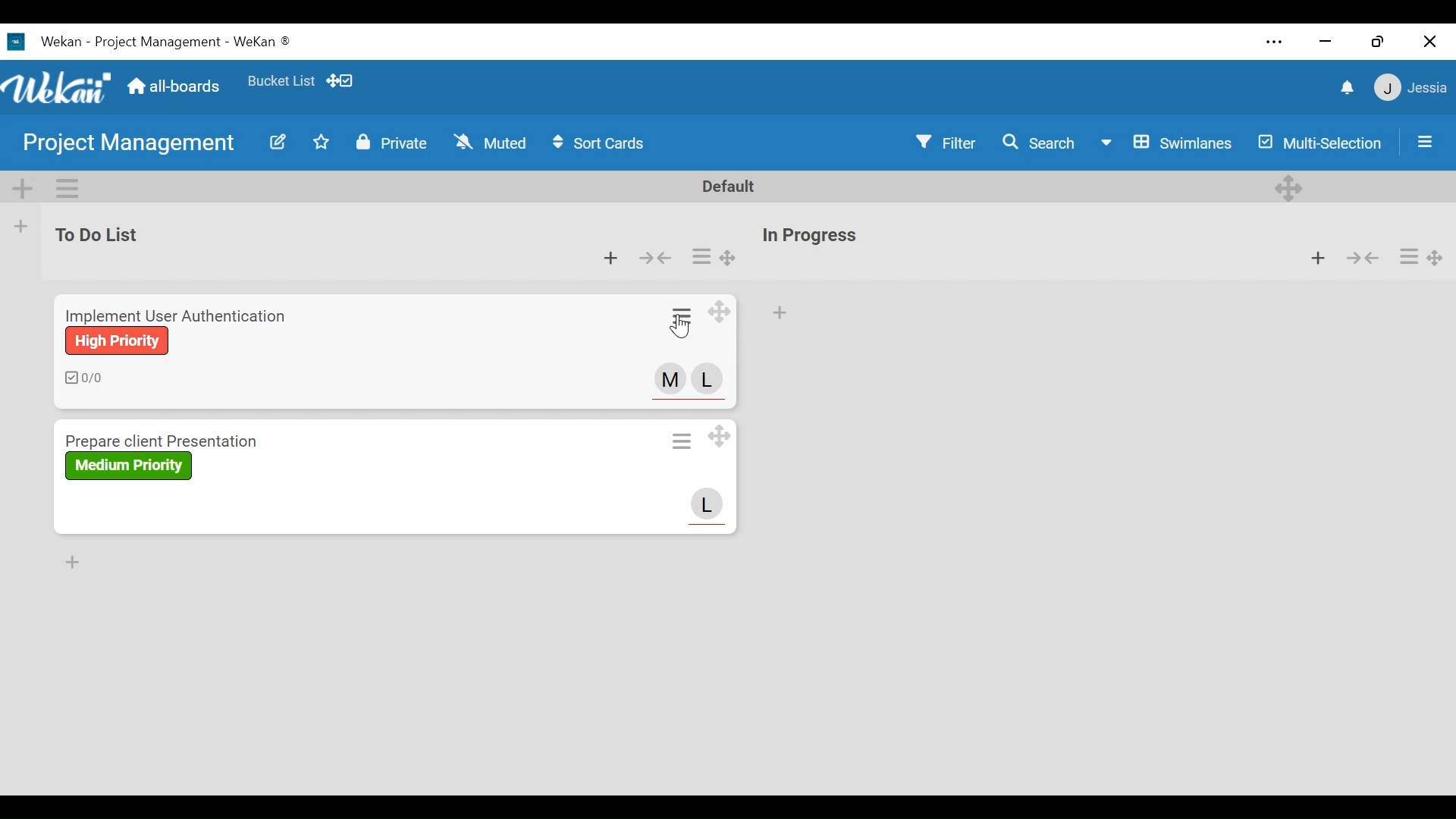 Image resolution: width=1456 pixels, height=819 pixels. Describe the element at coordinates (720, 312) in the screenshot. I see `Desktop drag handle` at that location.